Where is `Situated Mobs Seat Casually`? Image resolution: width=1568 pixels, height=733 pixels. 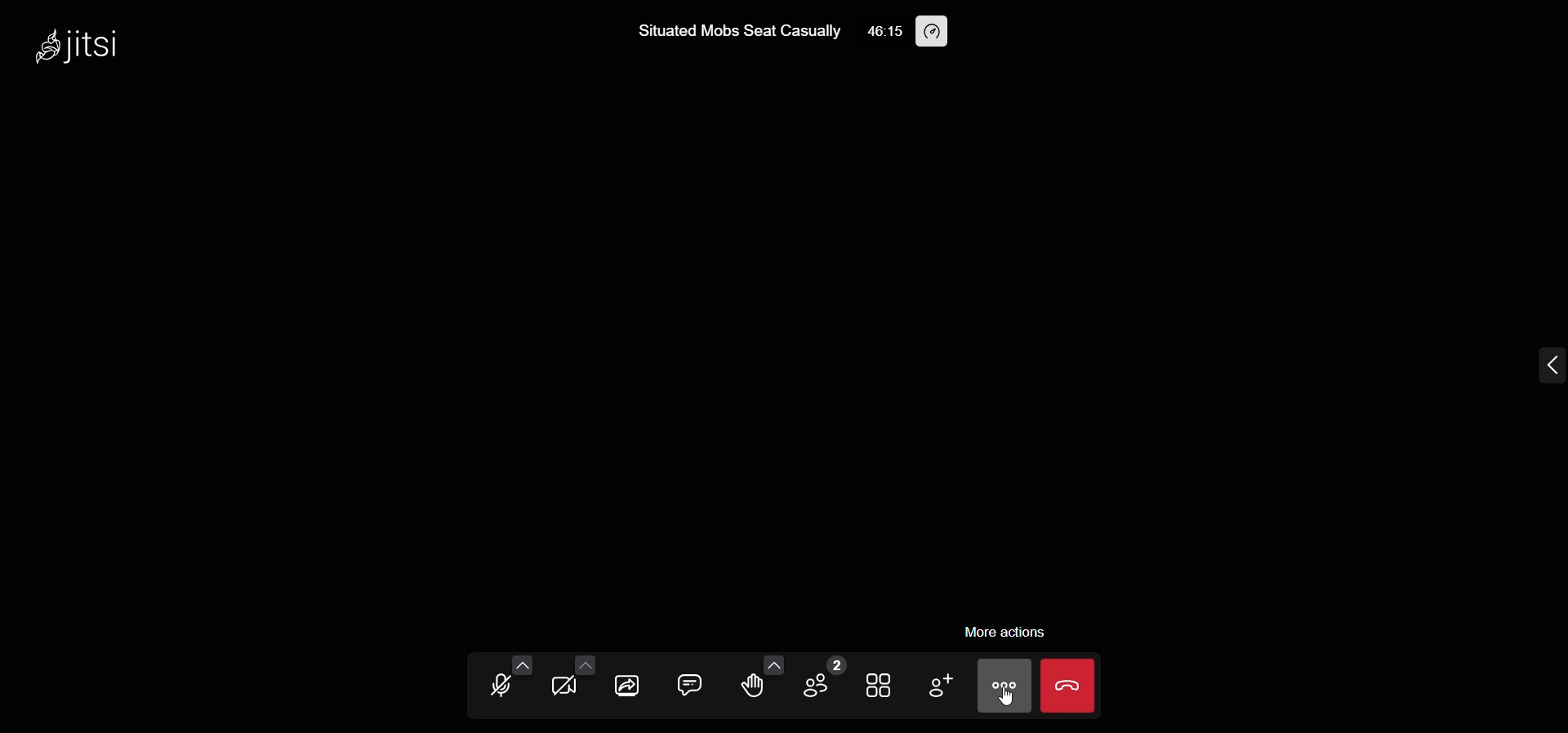 Situated Mobs Seat Casually is located at coordinates (729, 30).